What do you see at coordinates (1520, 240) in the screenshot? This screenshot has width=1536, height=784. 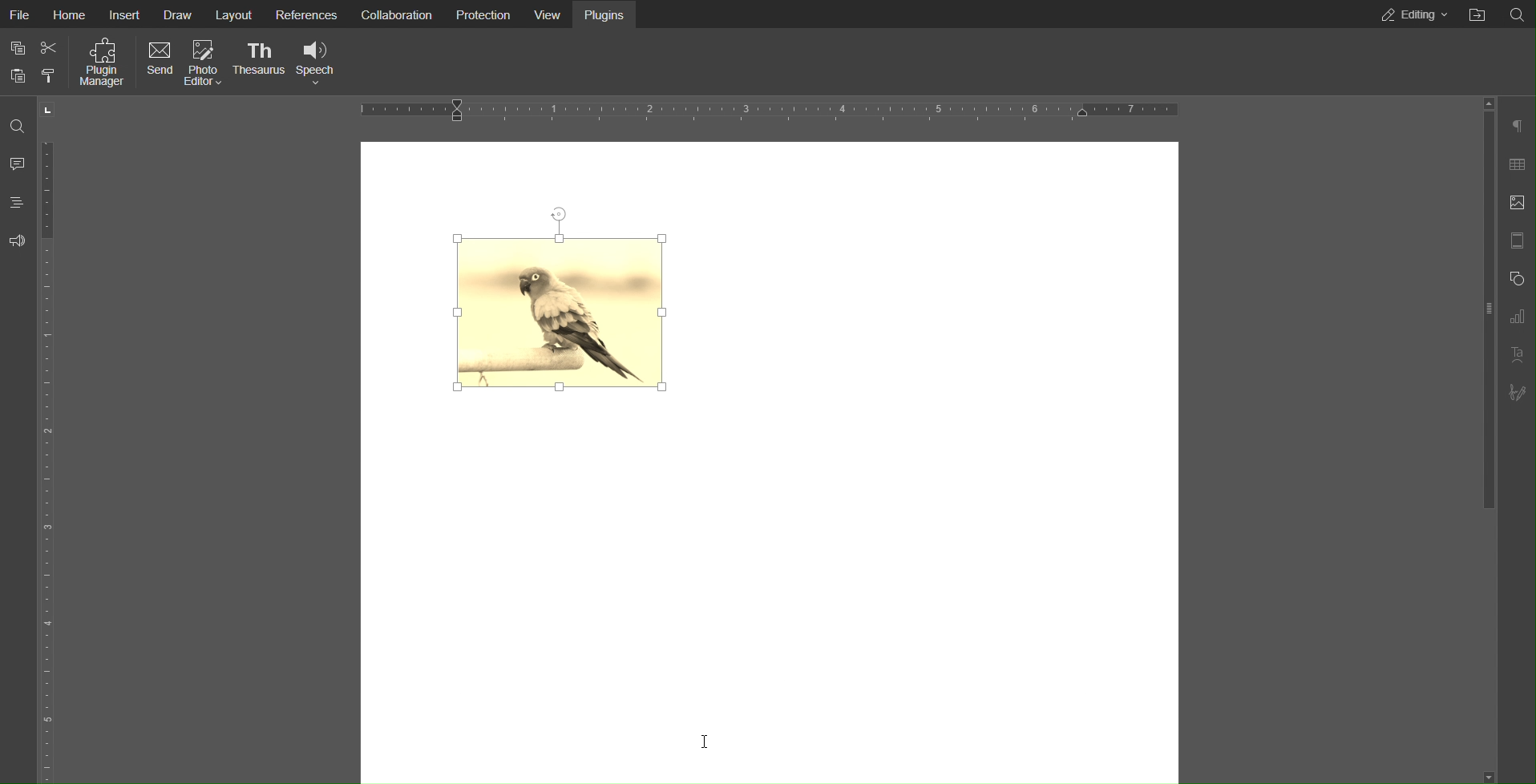 I see `Header Footer` at bounding box center [1520, 240].